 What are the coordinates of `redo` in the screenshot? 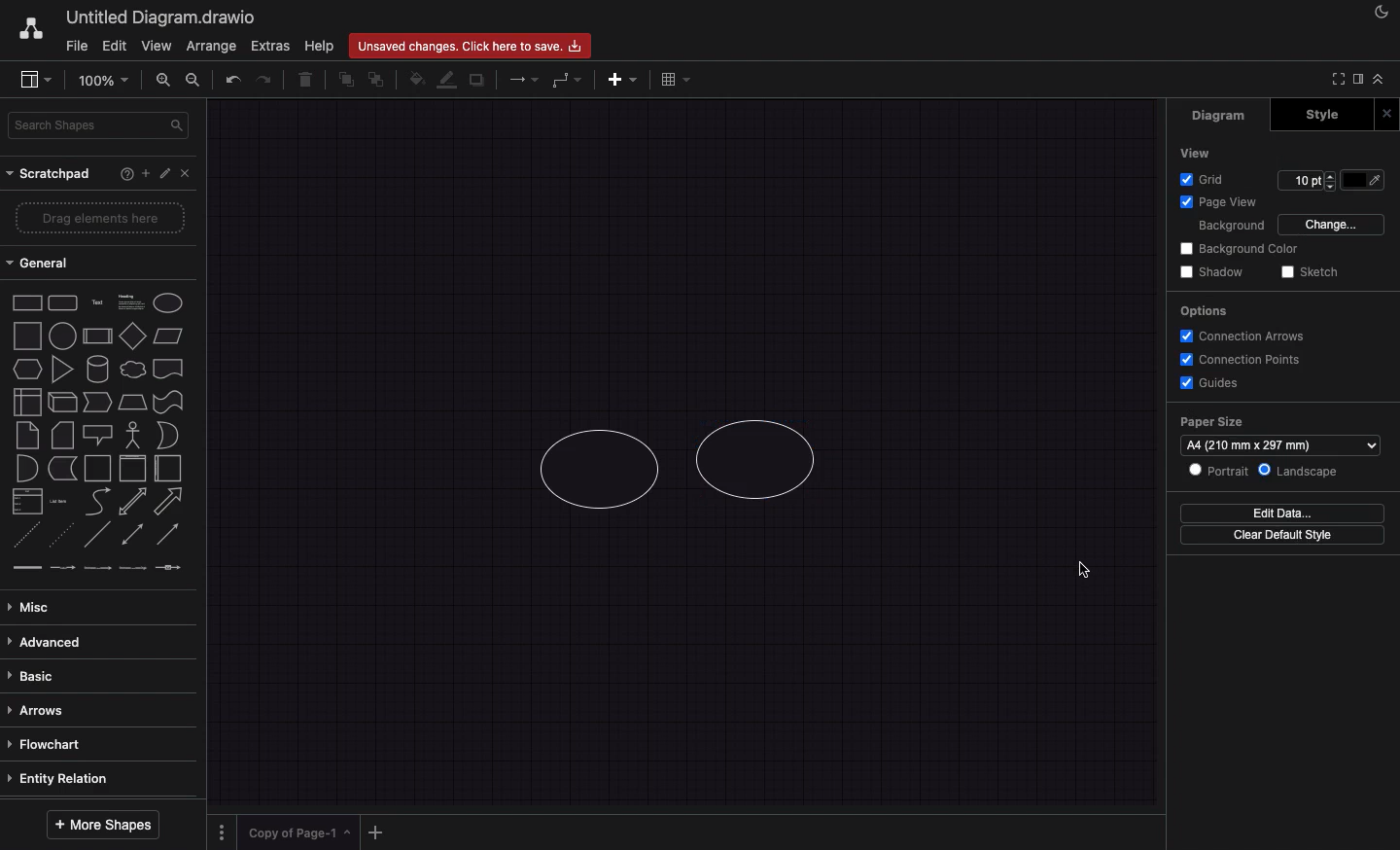 It's located at (265, 79).